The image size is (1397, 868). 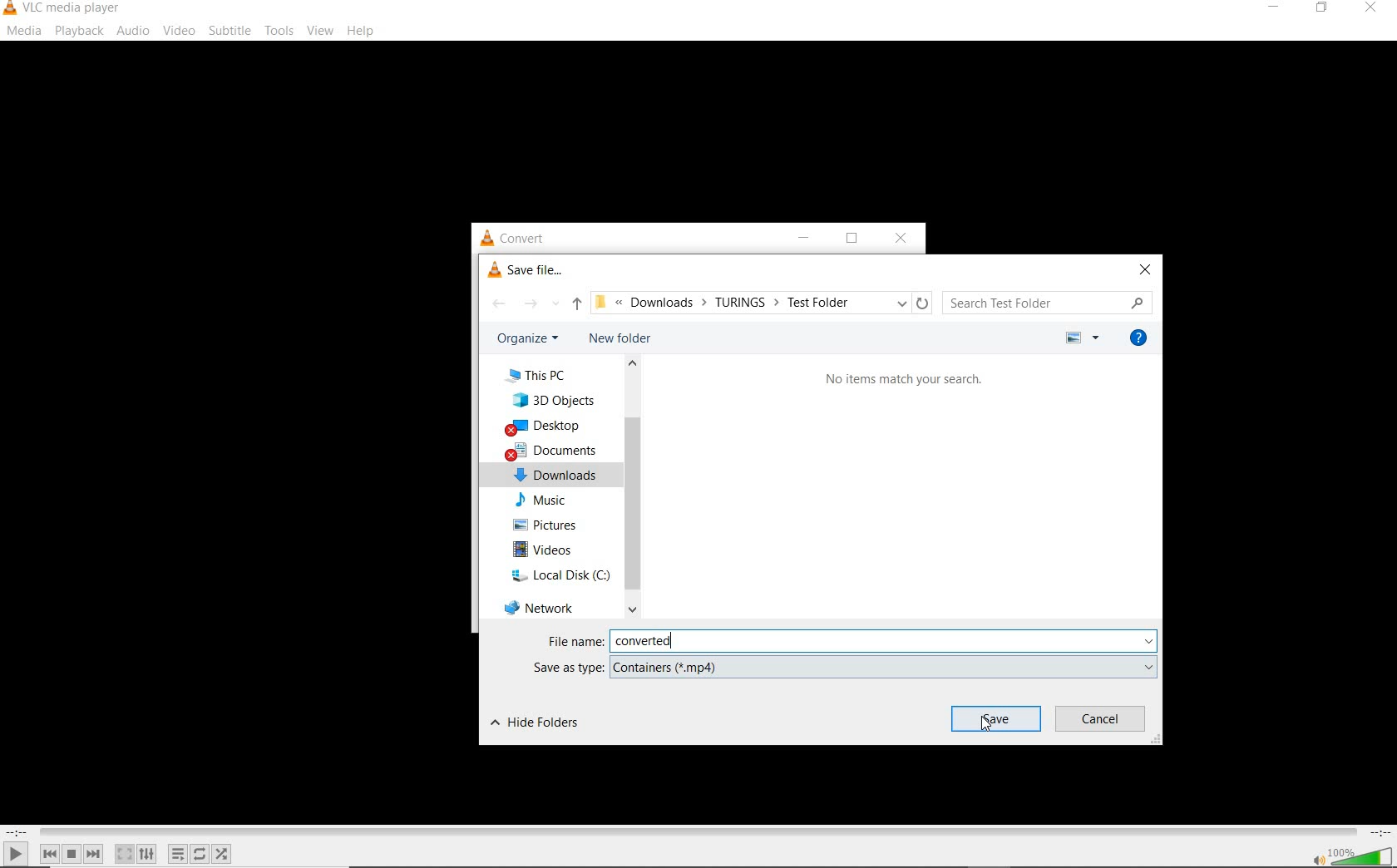 What do you see at coordinates (531, 338) in the screenshot?
I see `organize` at bounding box center [531, 338].